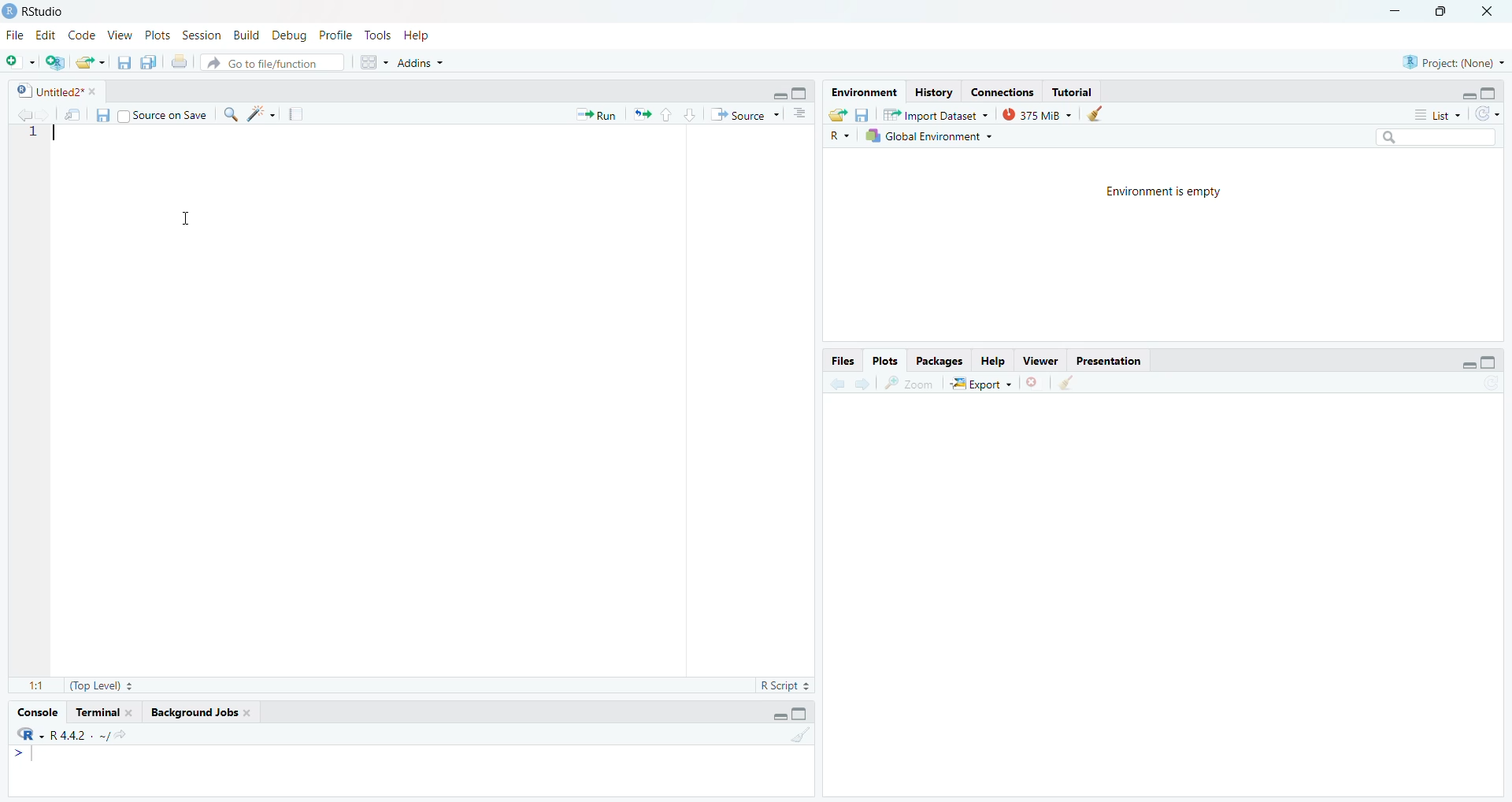 The width and height of the screenshot is (1512, 802). Describe the element at coordinates (34, 133) in the screenshot. I see `1` at that location.